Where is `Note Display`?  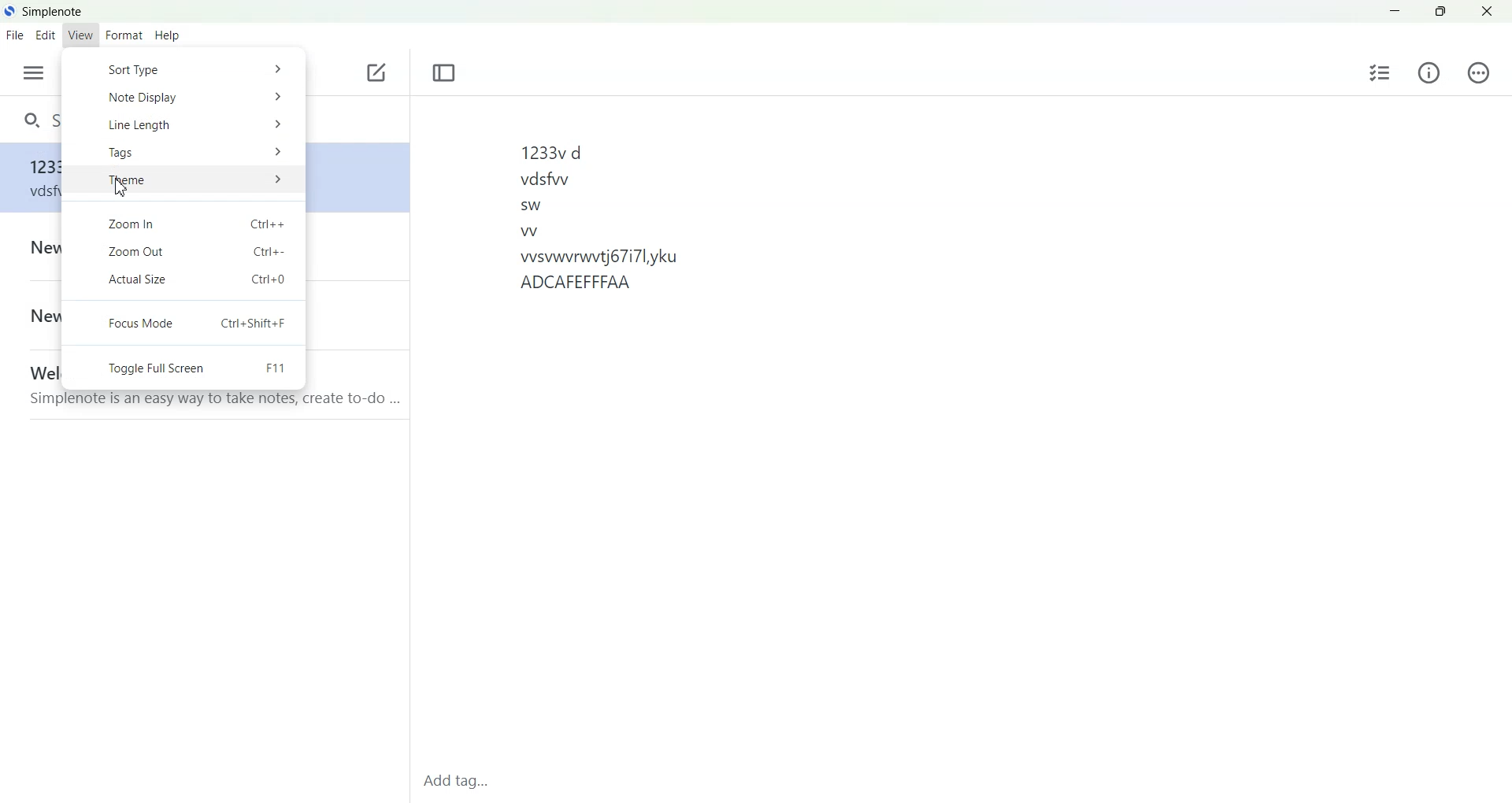
Note Display is located at coordinates (183, 98).